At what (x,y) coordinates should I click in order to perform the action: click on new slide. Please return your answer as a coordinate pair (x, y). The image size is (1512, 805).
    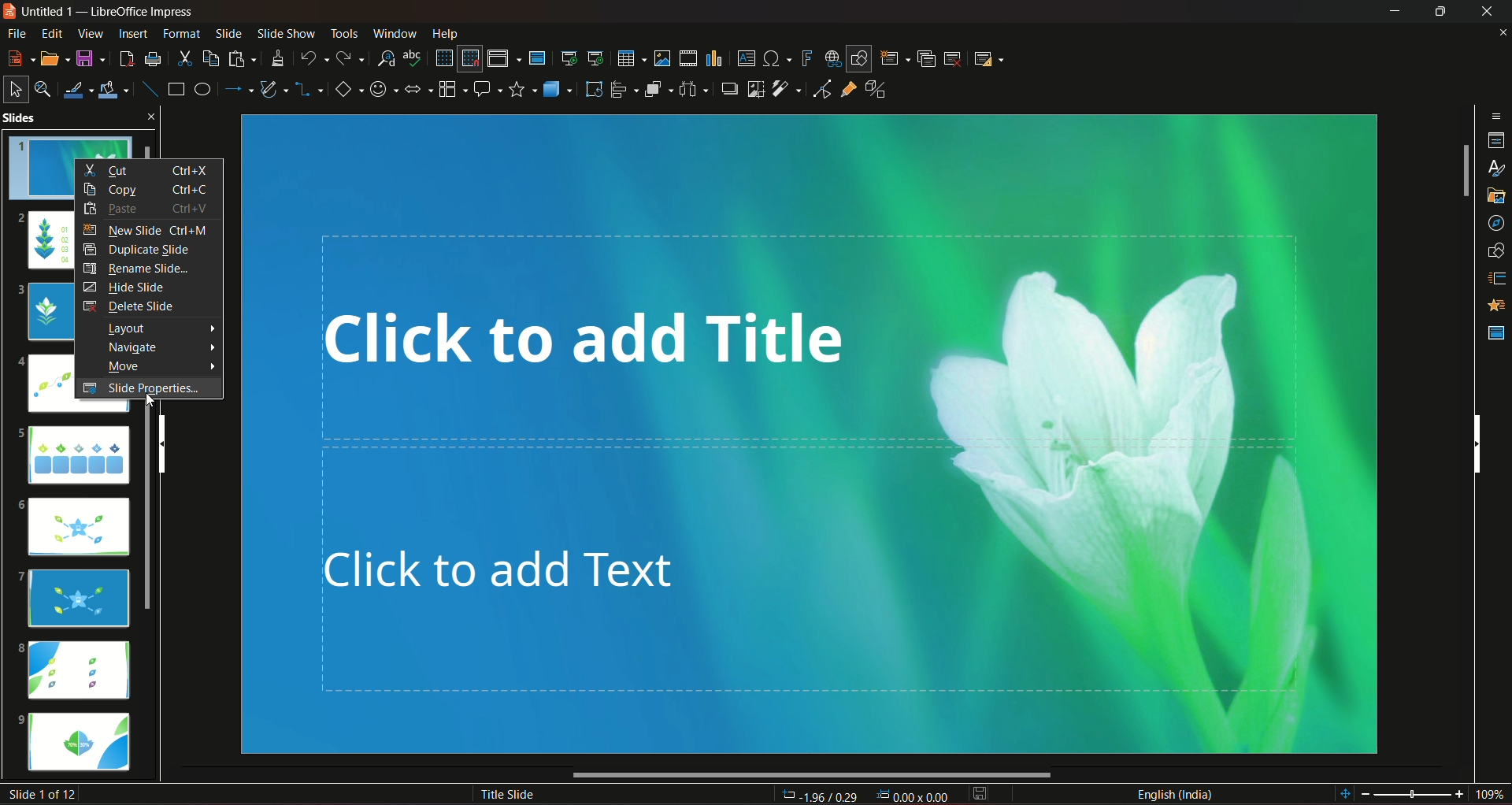
    Looking at the image, I should click on (895, 57).